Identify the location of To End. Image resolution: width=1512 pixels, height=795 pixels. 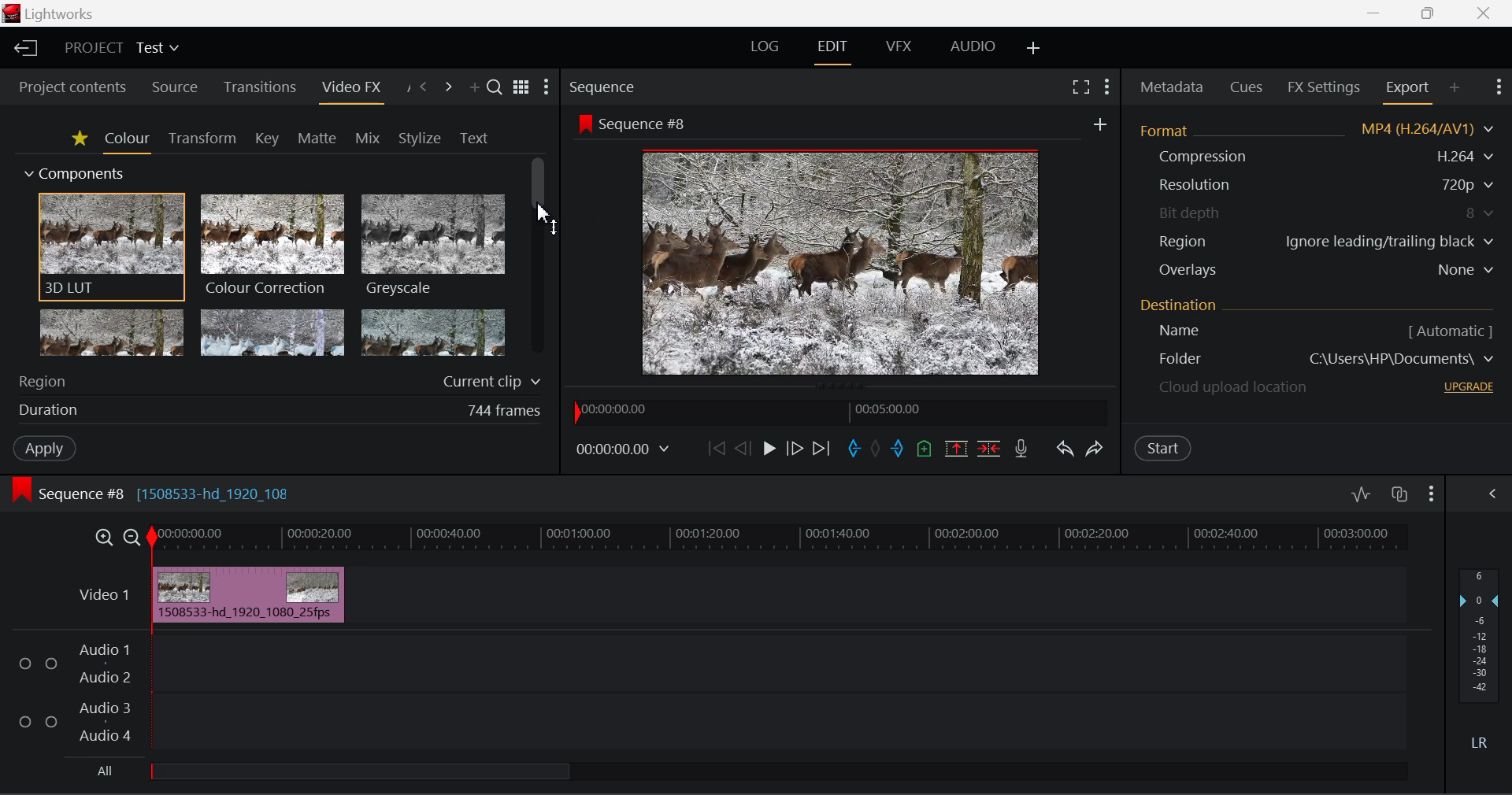
(825, 449).